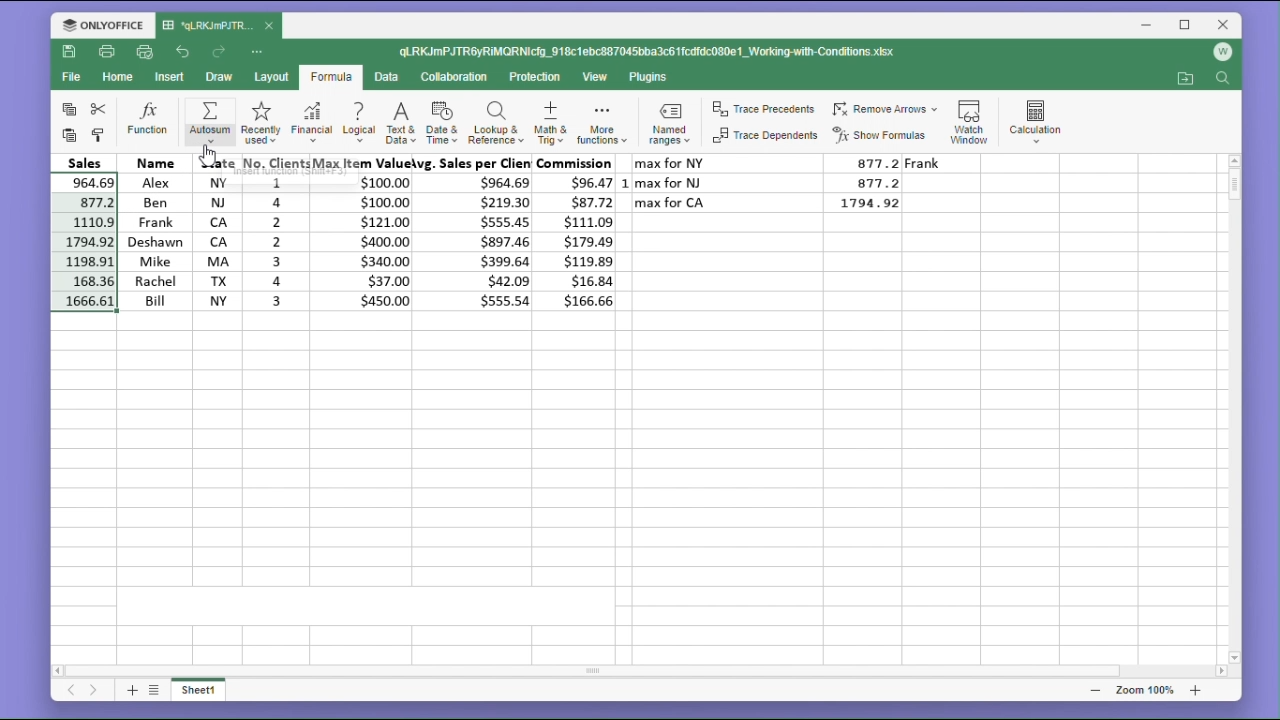 This screenshot has height=720, width=1280. What do you see at coordinates (1235, 657) in the screenshot?
I see `scroll down` at bounding box center [1235, 657].